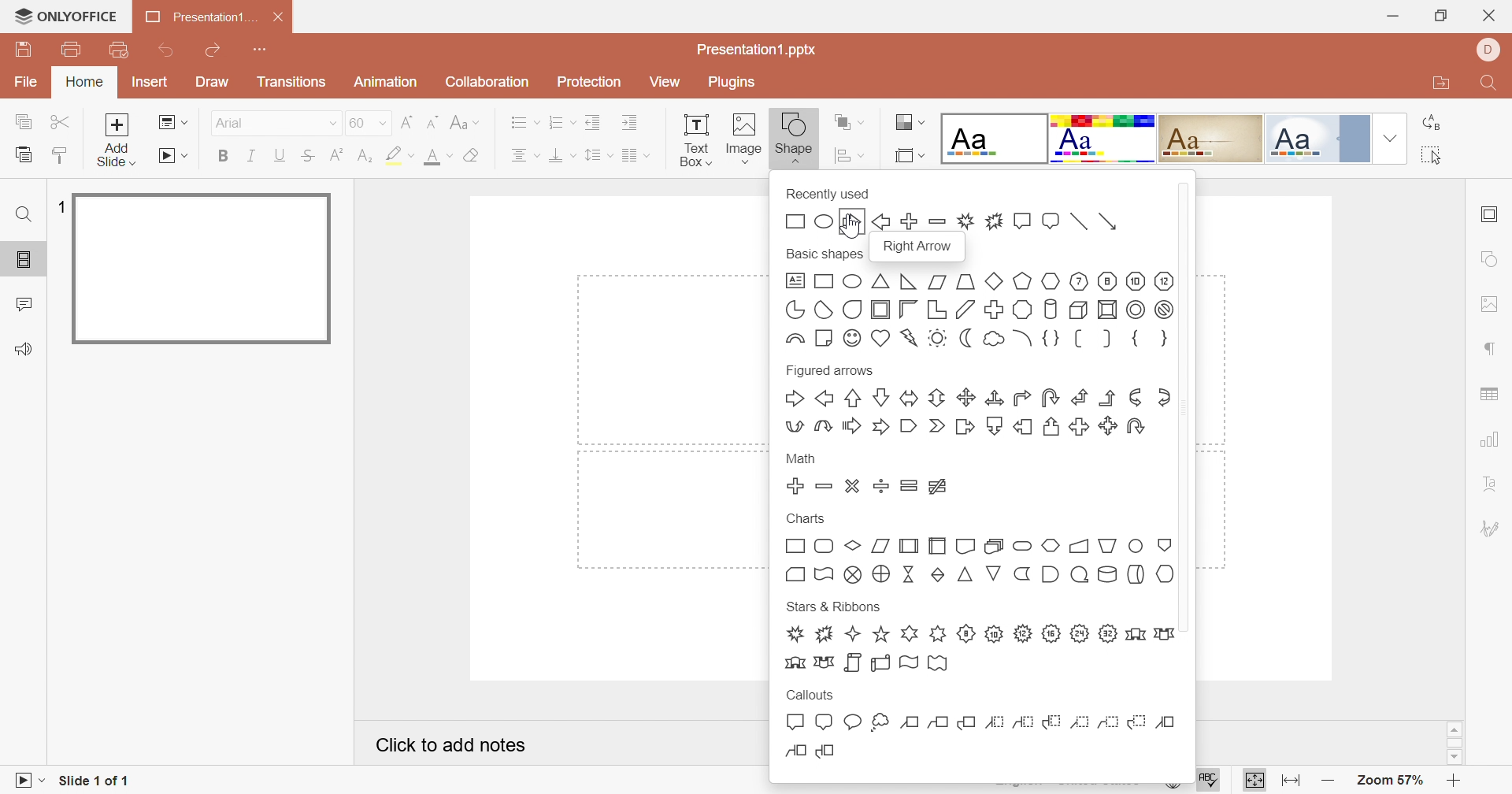 Image resolution: width=1512 pixels, height=794 pixels. I want to click on Chart settings, so click(1492, 440).